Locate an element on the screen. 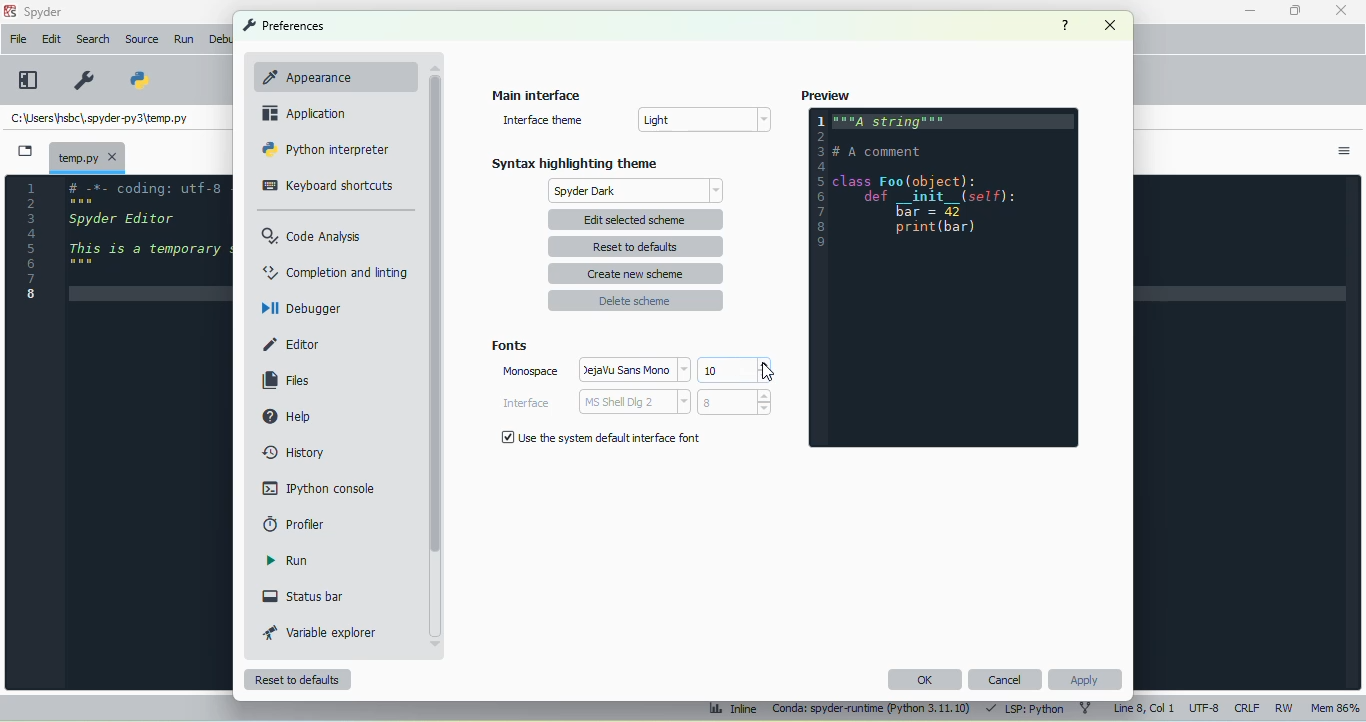  reset to defaults is located at coordinates (635, 247).